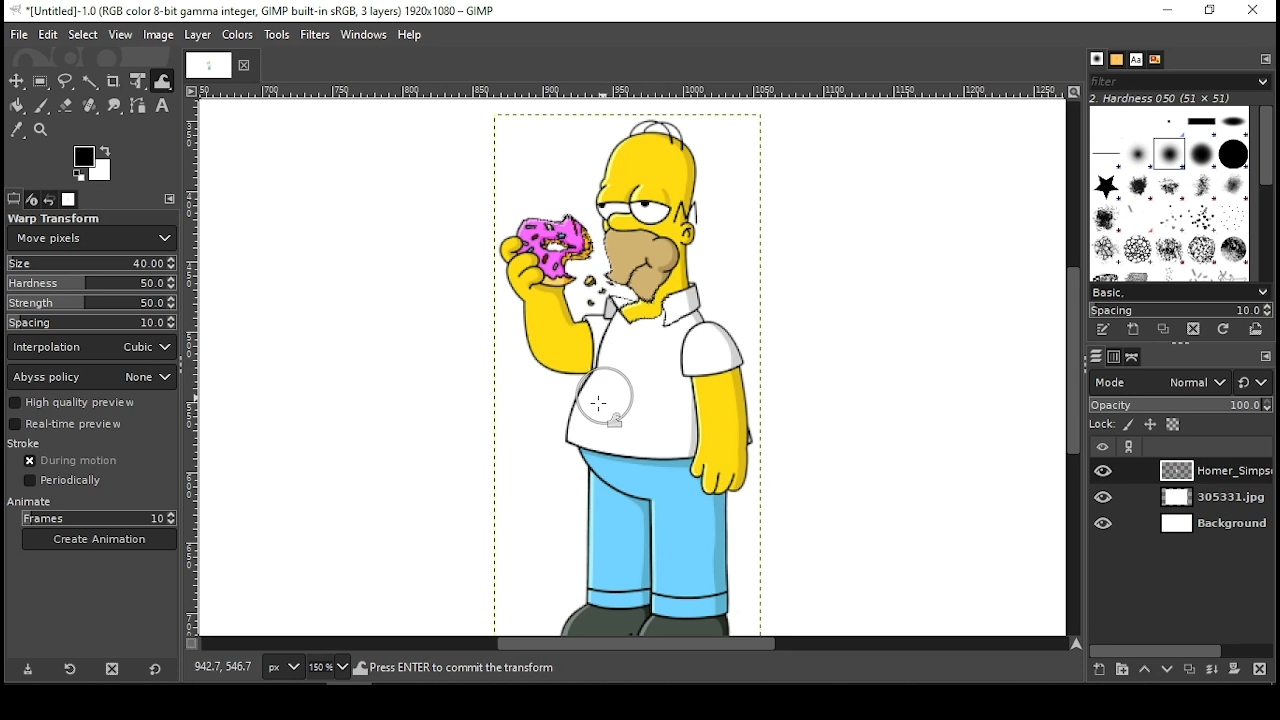 This screenshot has height=720, width=1280. What do you see at coordinates (1214, 471) in the screenshot?
I see `layer 1` at bounding box center [1214, 471].